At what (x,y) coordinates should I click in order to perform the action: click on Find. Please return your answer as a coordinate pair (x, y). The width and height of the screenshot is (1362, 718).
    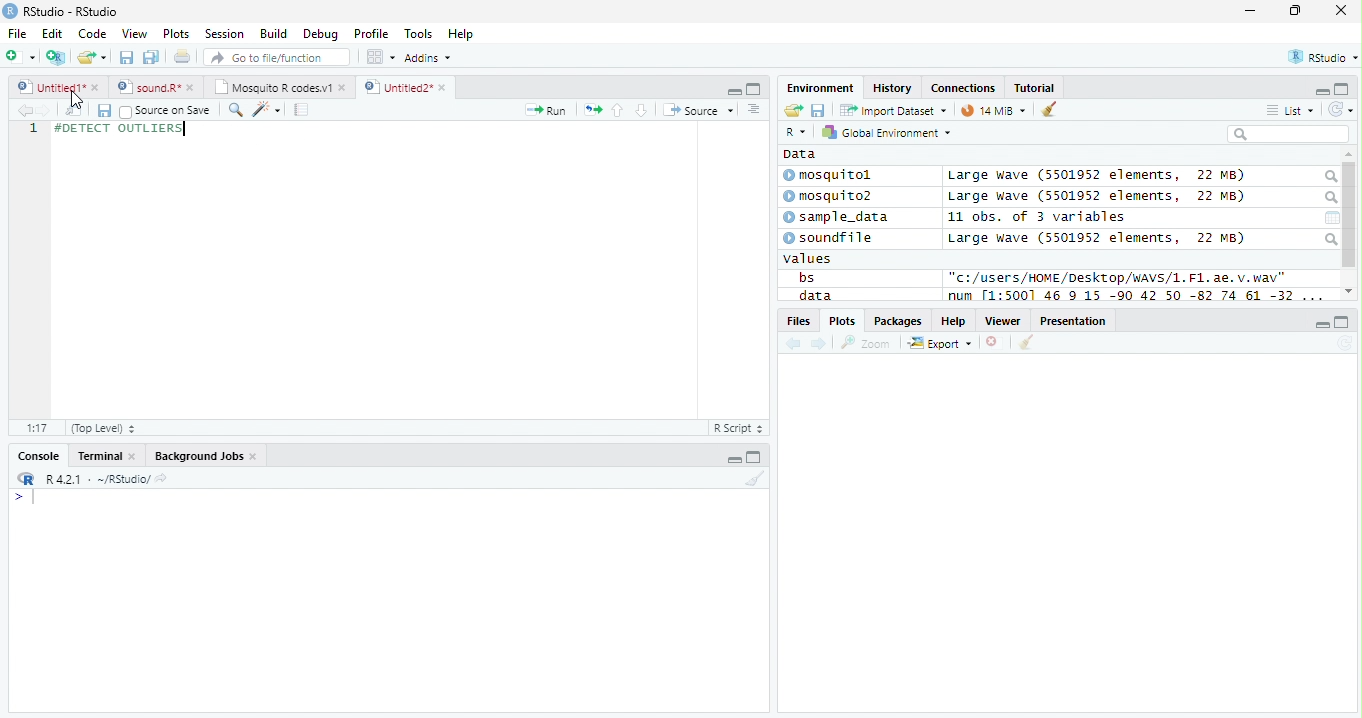
    Looking at the image, I should click on (235, 110).